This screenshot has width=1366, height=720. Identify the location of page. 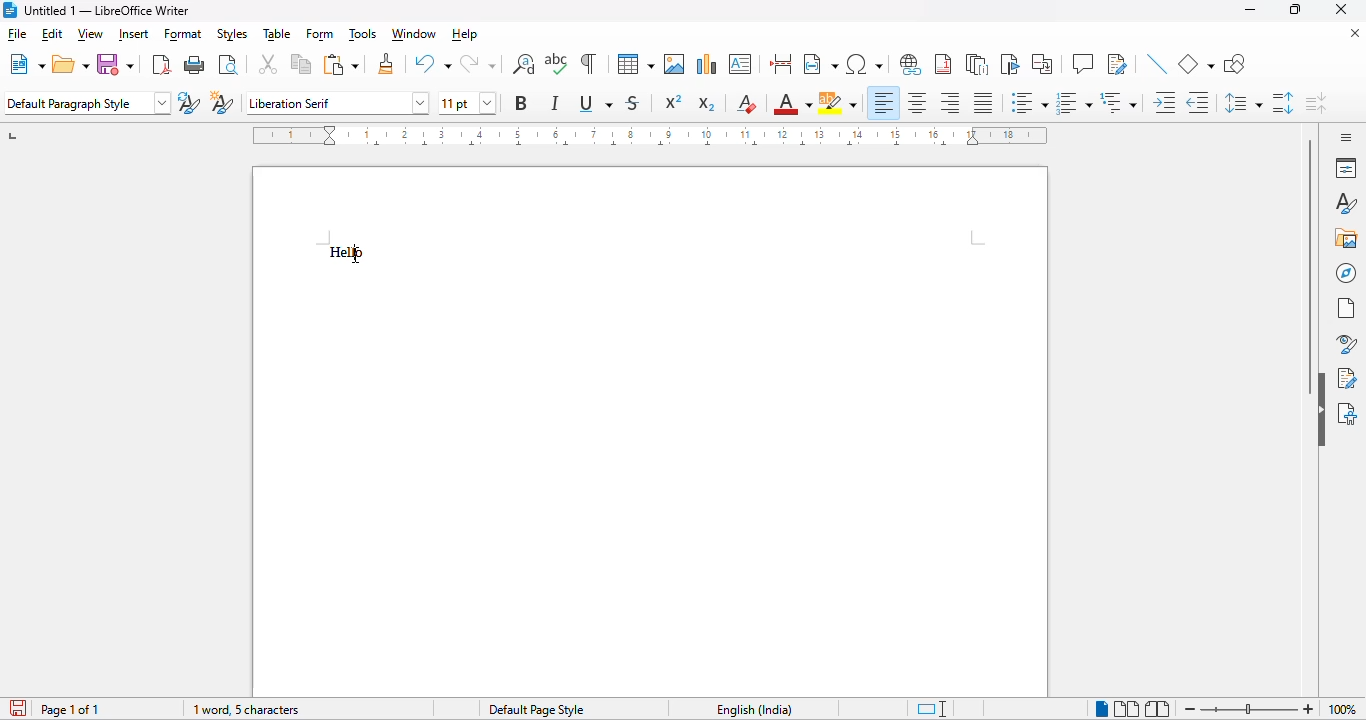
(1346, 309).